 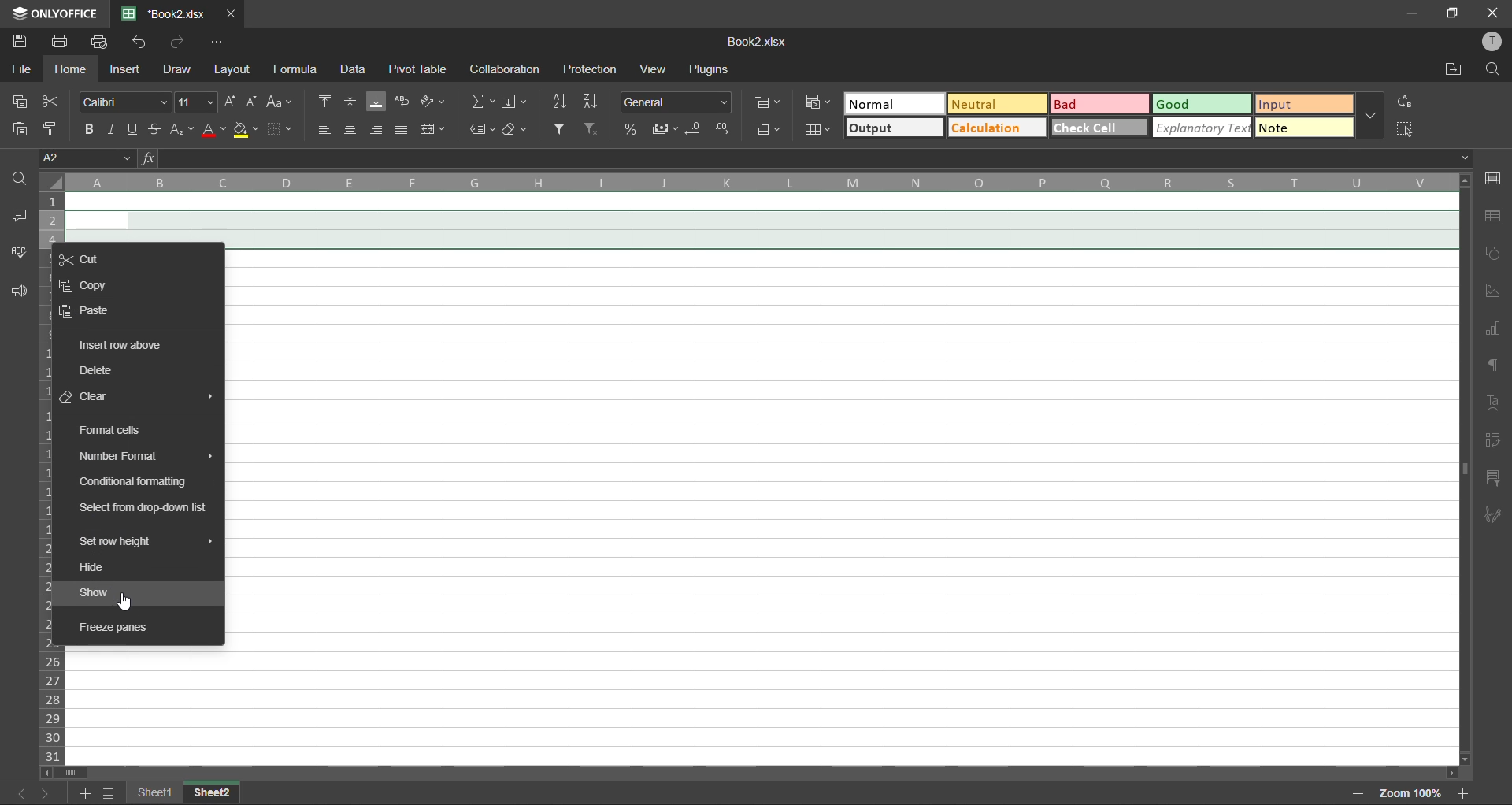 I want to click on protection, so click(x=594, y=69).